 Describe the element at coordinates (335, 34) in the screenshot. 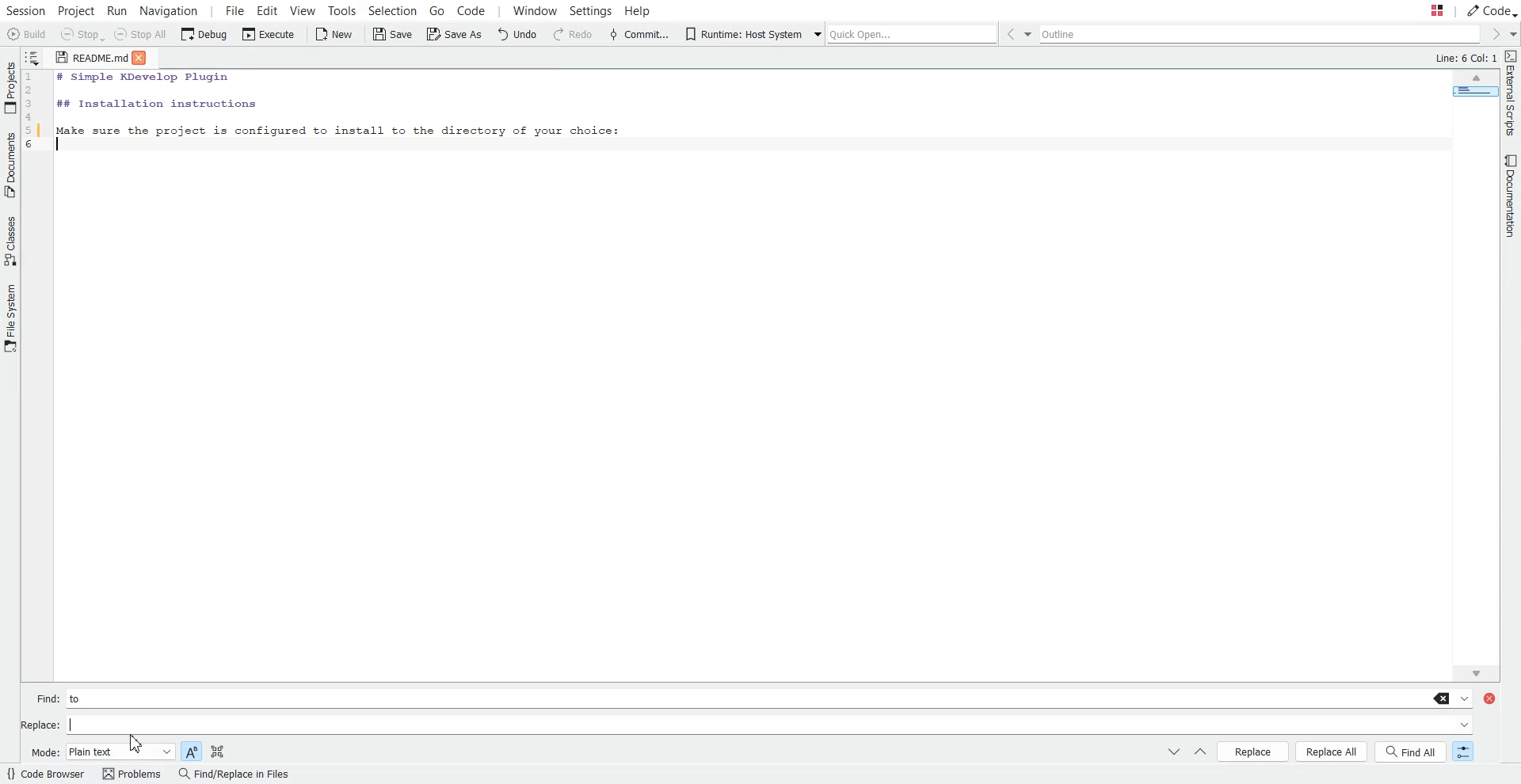

I see `New` at that location.